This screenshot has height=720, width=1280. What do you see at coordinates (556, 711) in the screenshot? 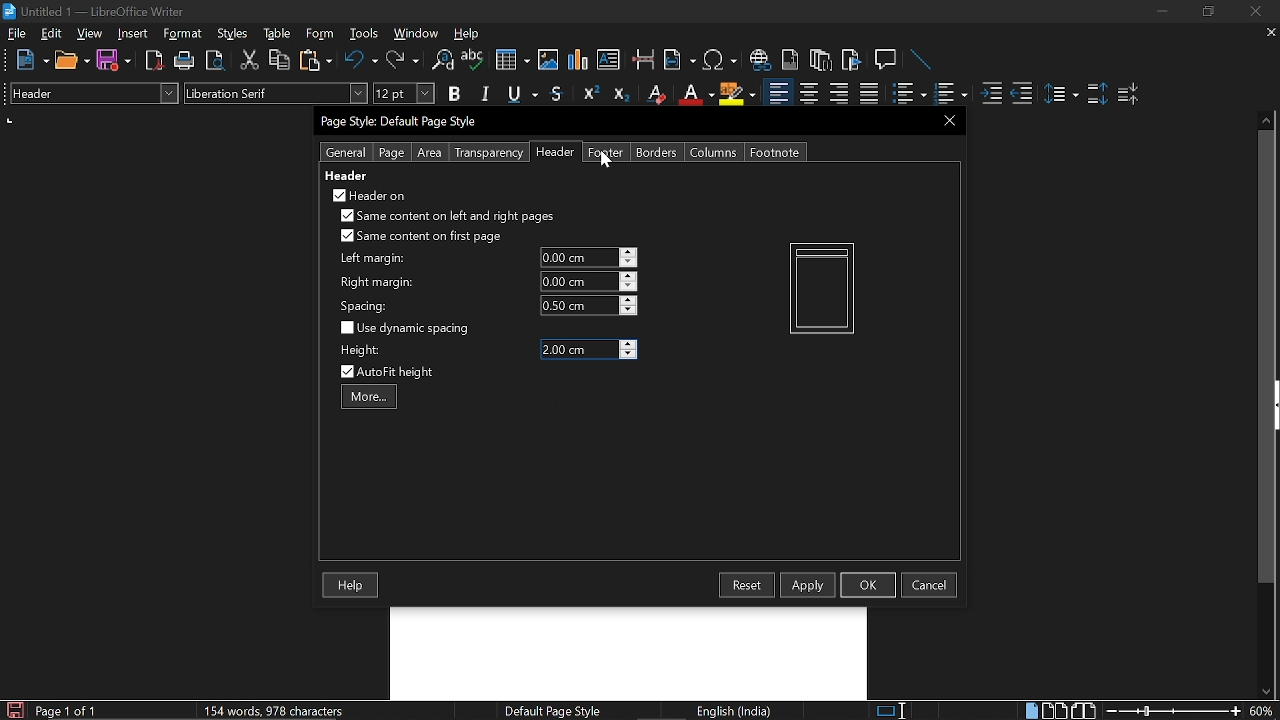
I see `page style Page style` at bounding box center [556, 711].